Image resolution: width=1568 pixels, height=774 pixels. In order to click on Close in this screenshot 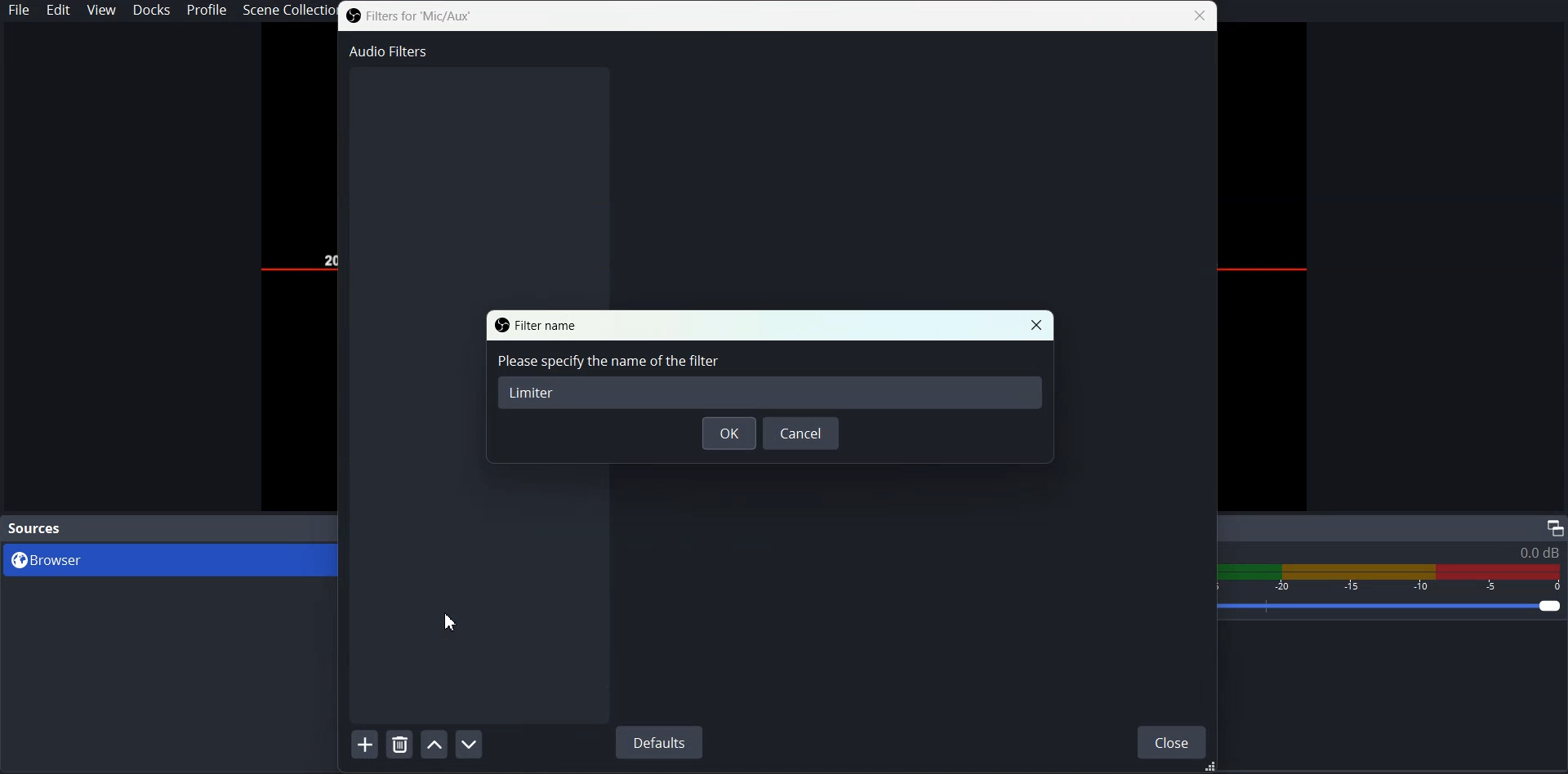, I will do `click(1036, 325)`.